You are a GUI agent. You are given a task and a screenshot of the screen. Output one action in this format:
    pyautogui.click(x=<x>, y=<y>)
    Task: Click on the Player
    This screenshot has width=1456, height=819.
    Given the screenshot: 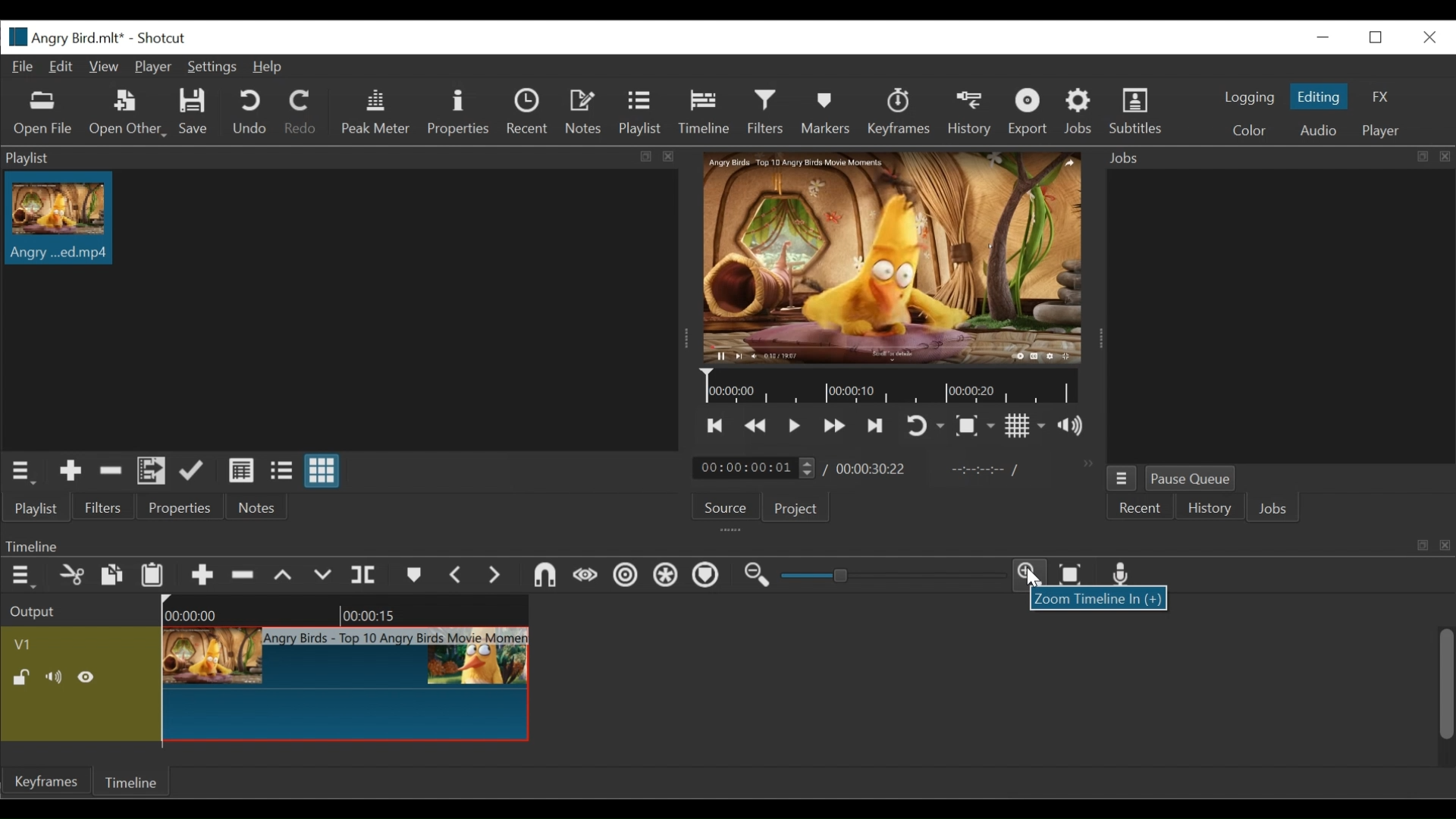 What is the action you would take?
    pyautogui.click(x=152, y=67)
    